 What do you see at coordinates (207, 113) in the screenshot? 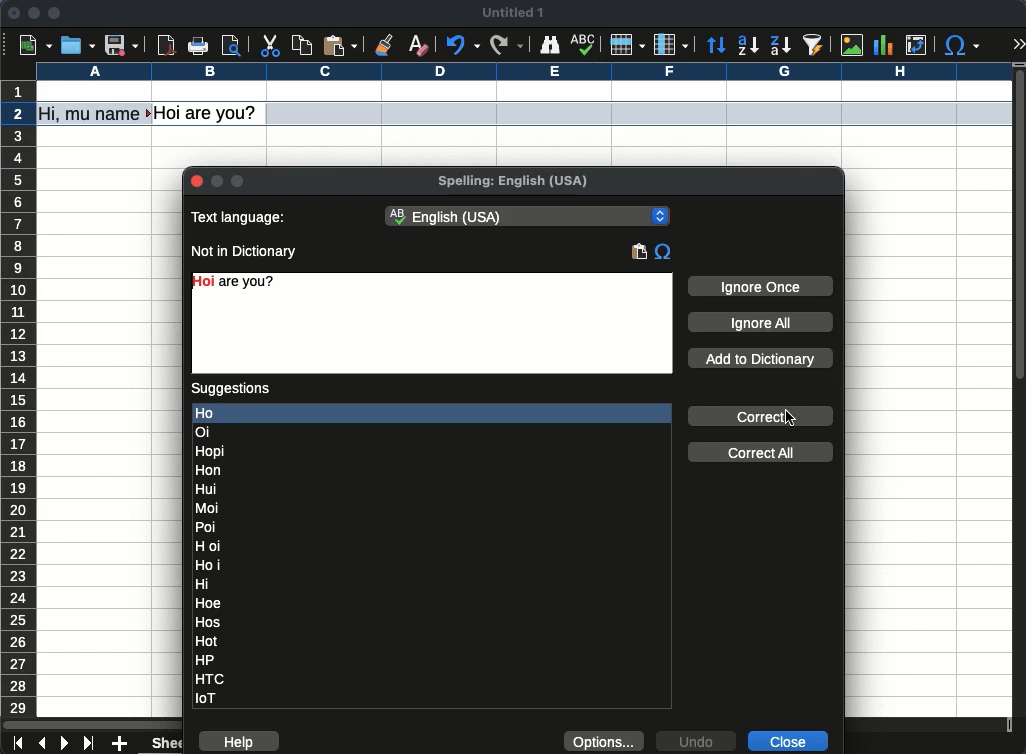
I see `Hoi are you?` at bounding box center [207, 113].